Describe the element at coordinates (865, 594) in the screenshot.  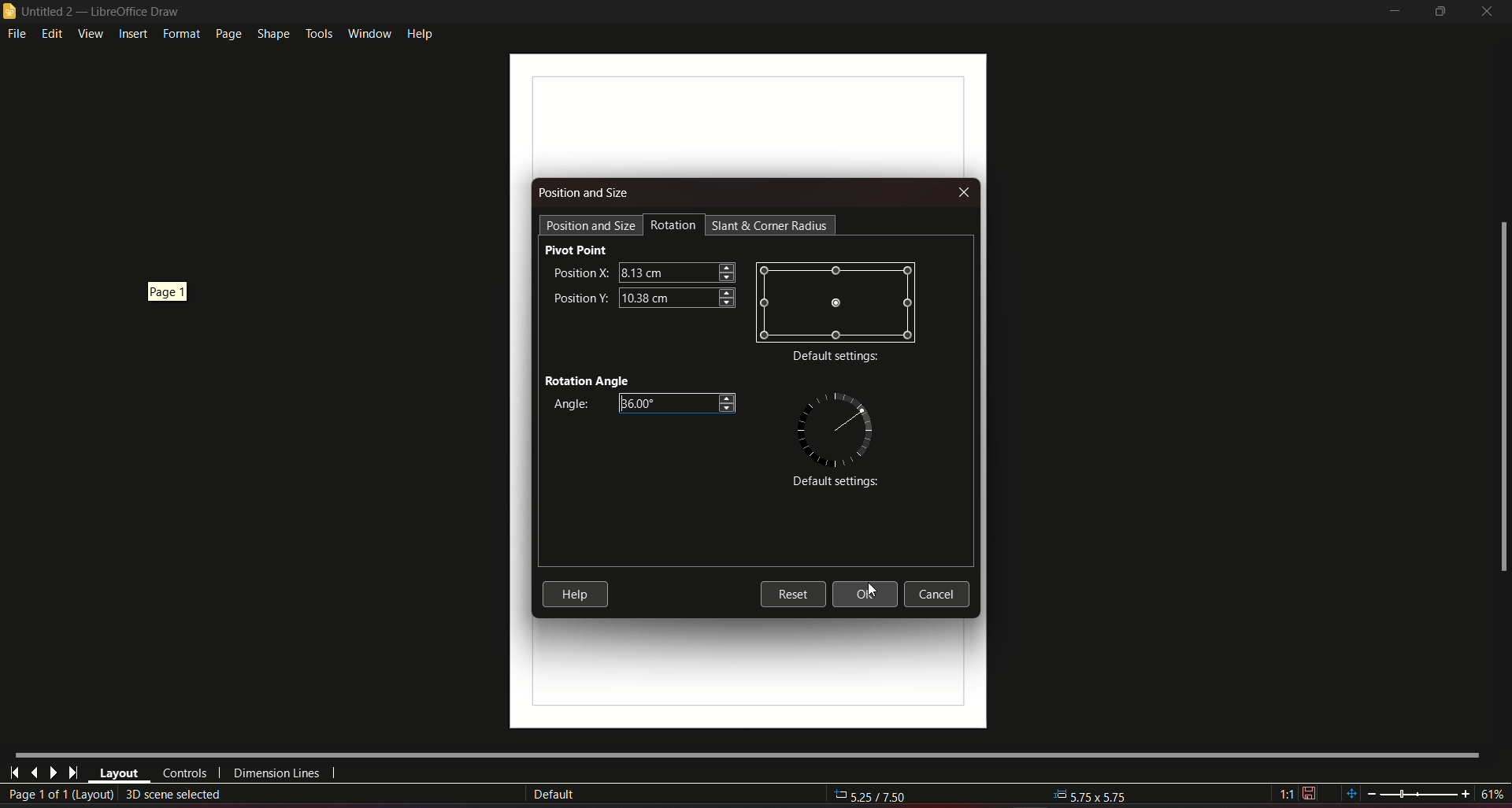
I see `ok` at that location.